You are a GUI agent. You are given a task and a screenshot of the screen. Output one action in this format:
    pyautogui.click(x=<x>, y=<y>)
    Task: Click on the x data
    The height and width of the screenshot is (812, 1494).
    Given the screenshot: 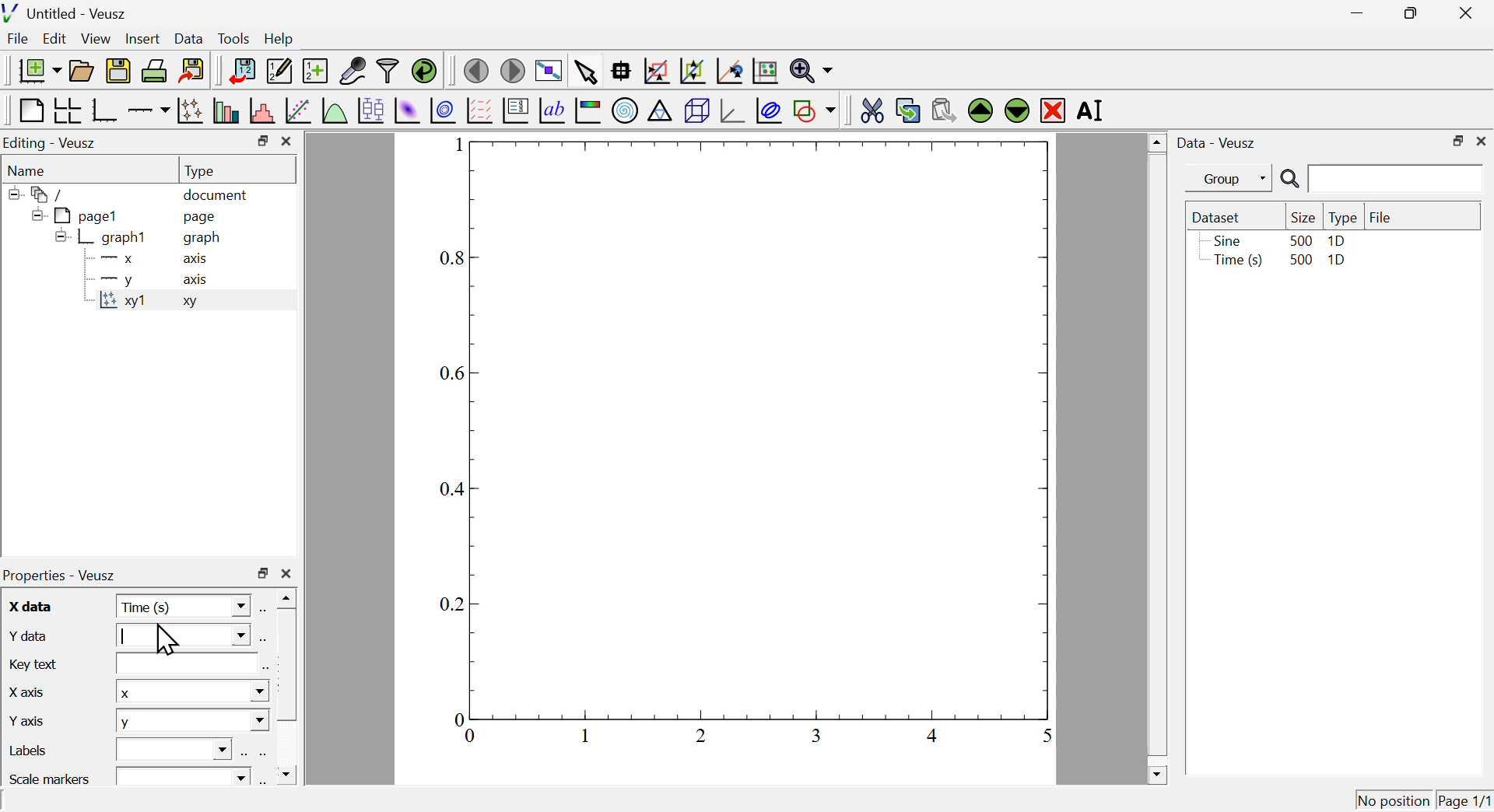 What is the action you would take?
    pyautogui.click(x=32, y=606)
    